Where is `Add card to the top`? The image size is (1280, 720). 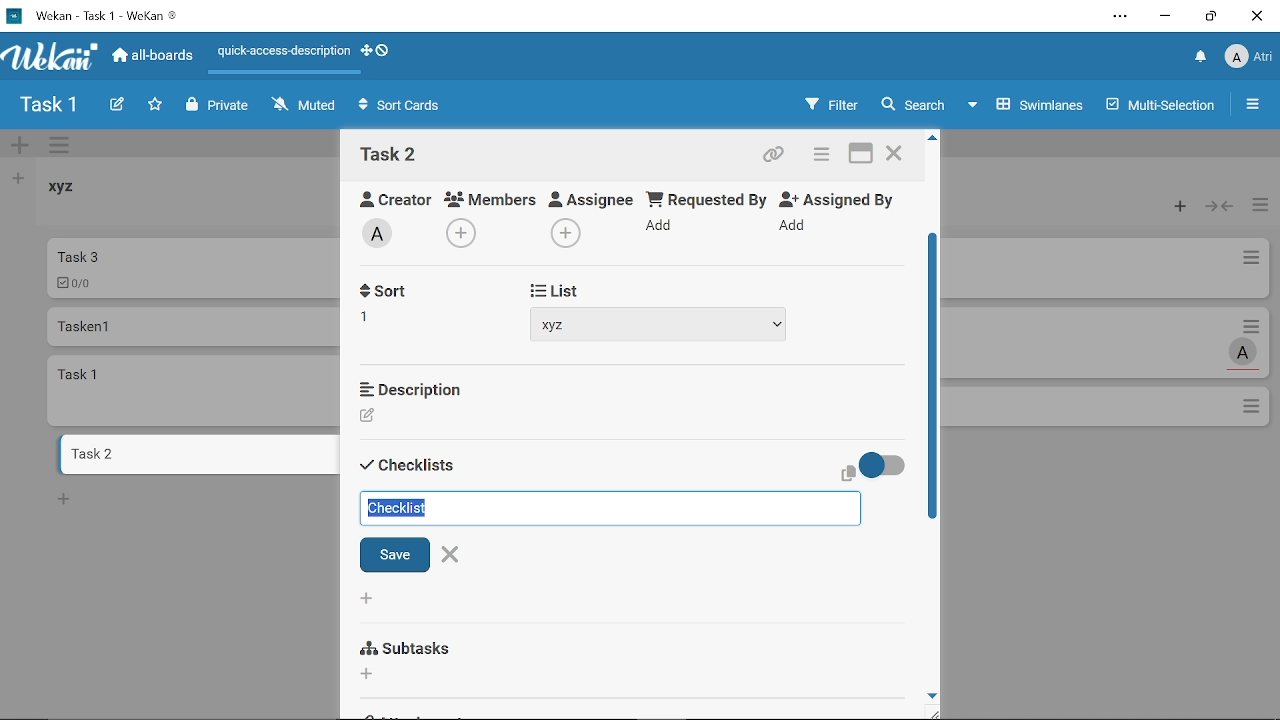
Add card to the top is located at coordinates (1175, 207).